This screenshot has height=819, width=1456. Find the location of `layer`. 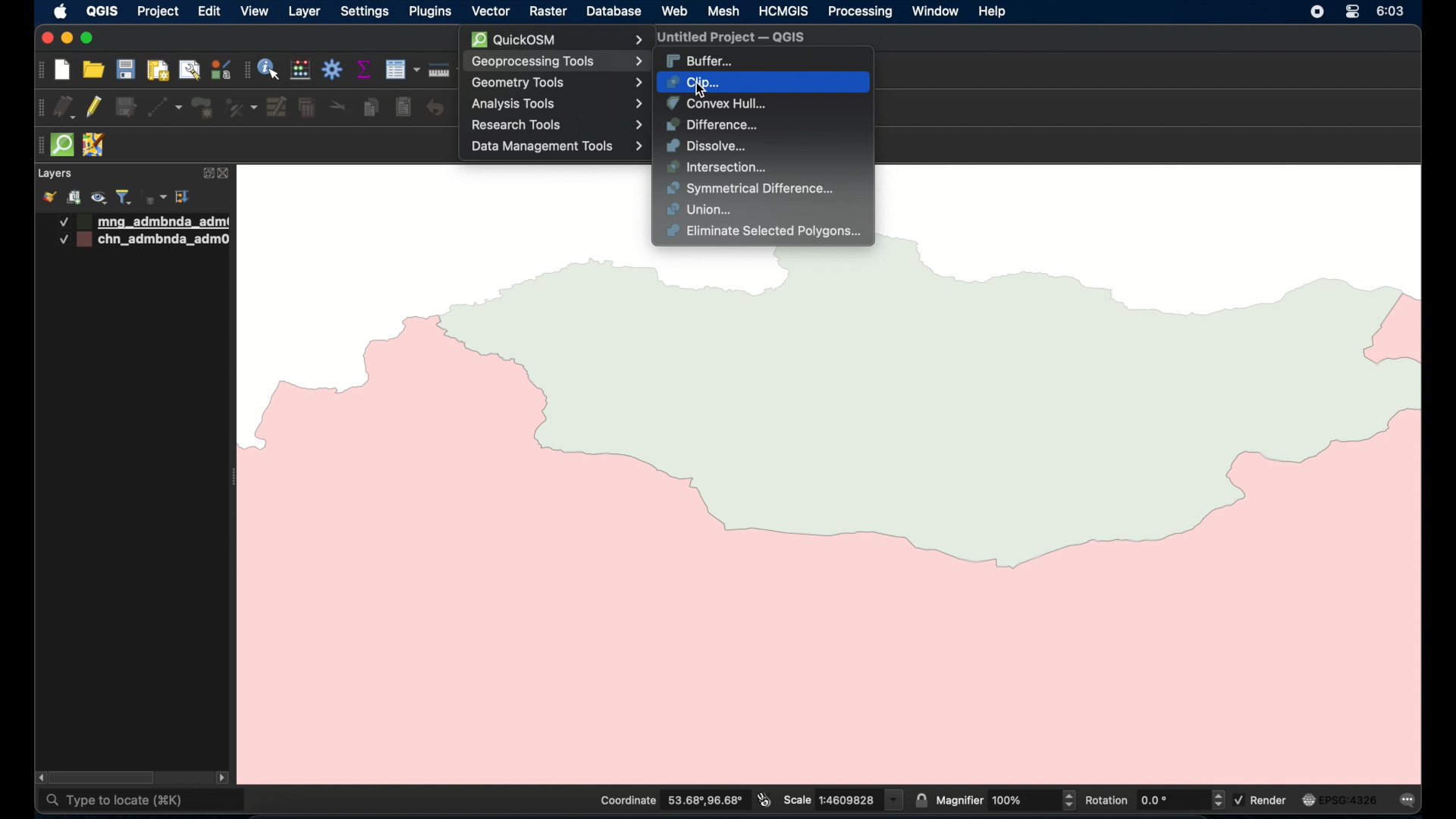

layer is located at coordinates (304, 13).